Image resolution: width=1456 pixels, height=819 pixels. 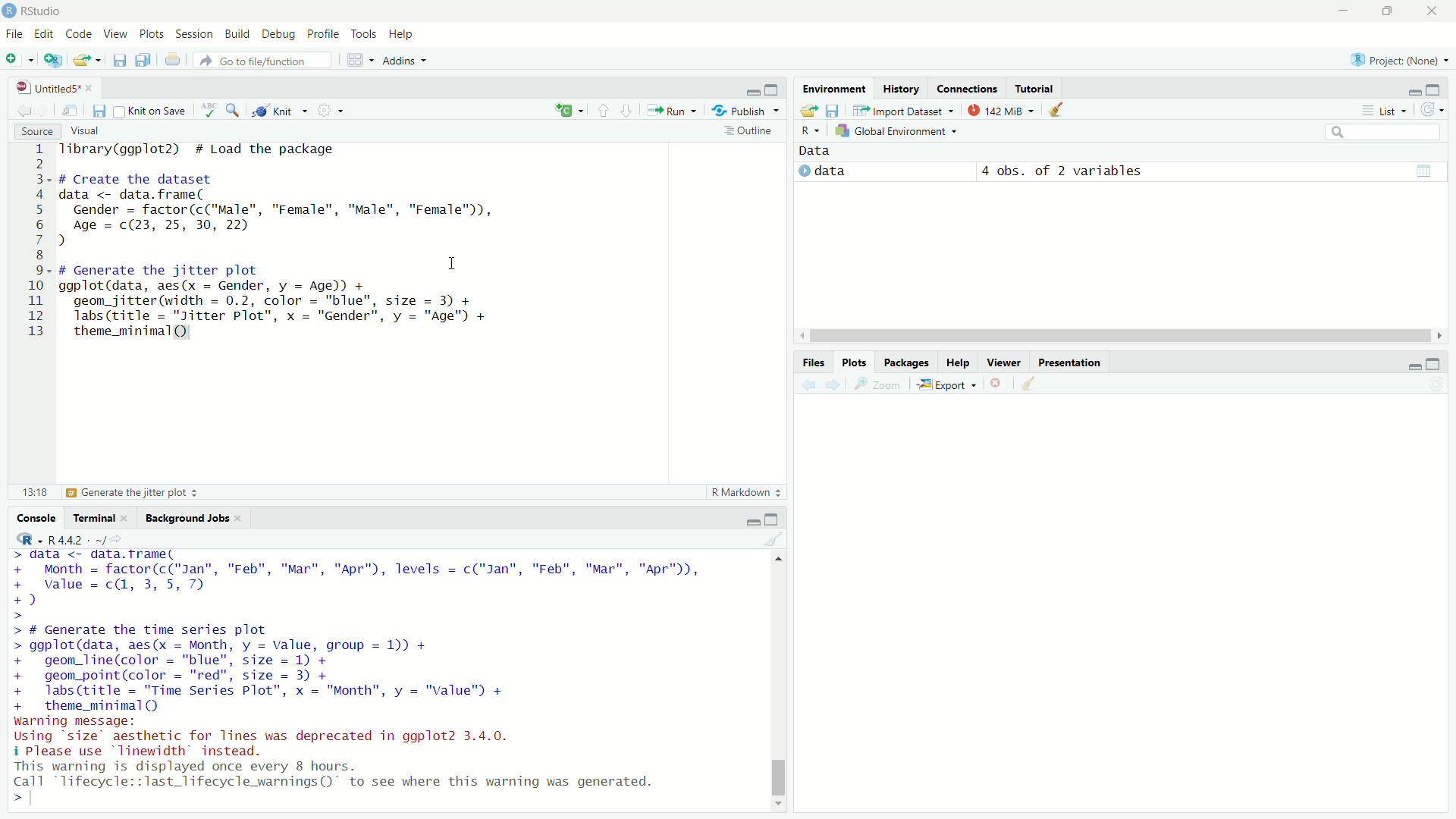 What do you see at coordinates (34, 243) in the screenshot?
I see `serial number` at bounding box center [34, 243].